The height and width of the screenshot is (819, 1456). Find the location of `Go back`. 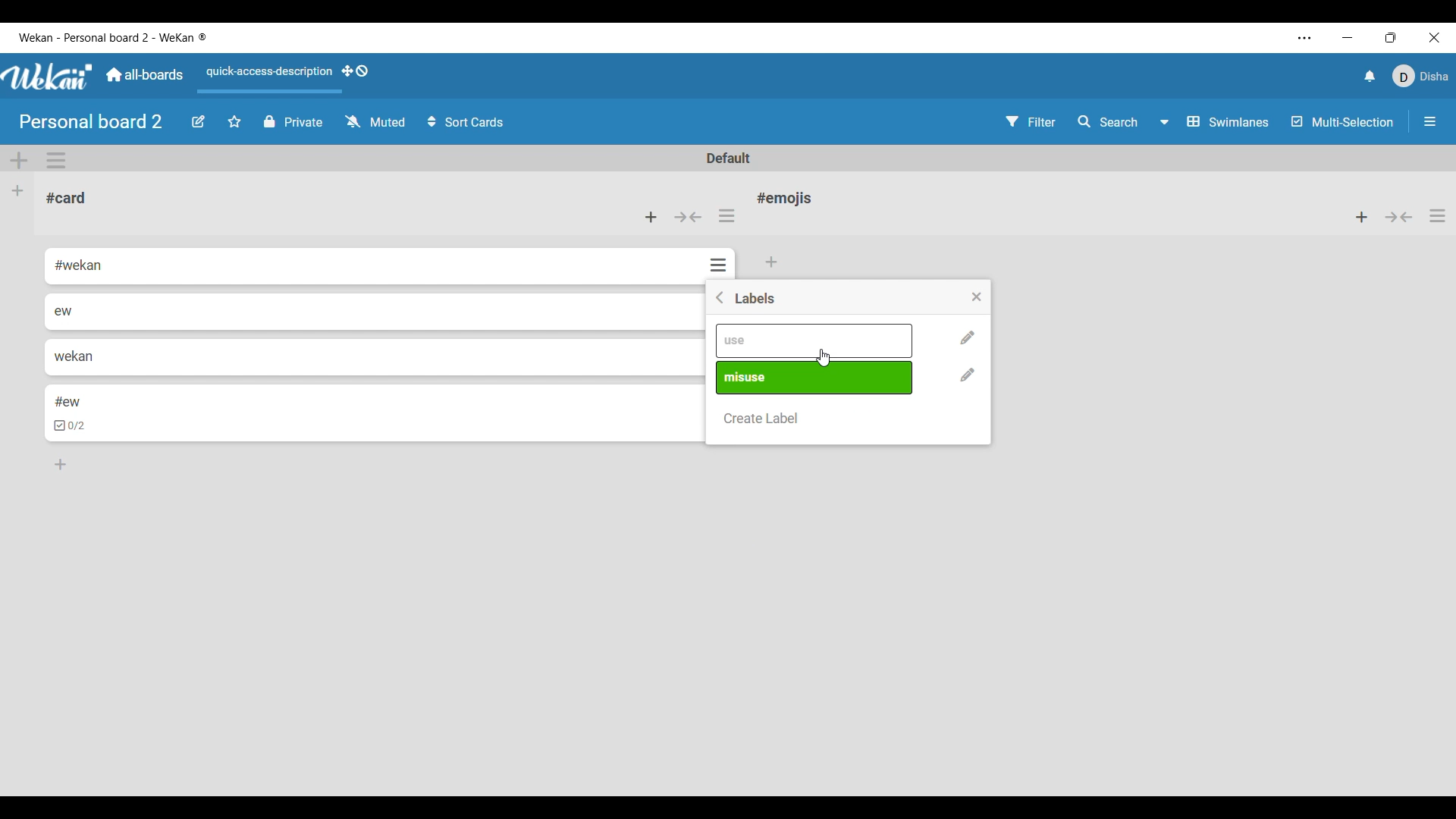

Go back is located at coordinates (720, 297).